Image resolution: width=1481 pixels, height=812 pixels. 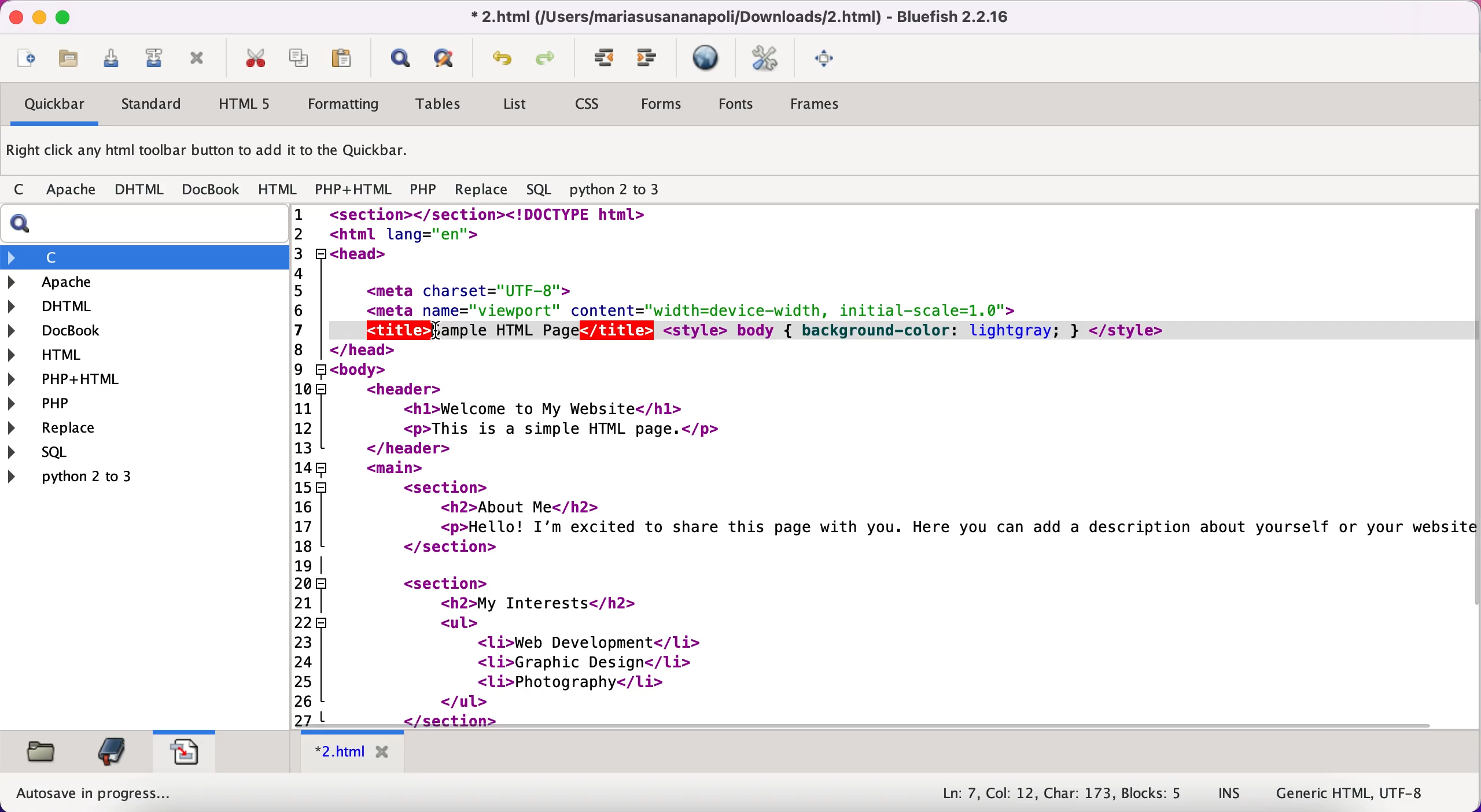 What do you see at coordinates (23, 191) in the screenshot?
I see `c` at bounding box center [23, 191].